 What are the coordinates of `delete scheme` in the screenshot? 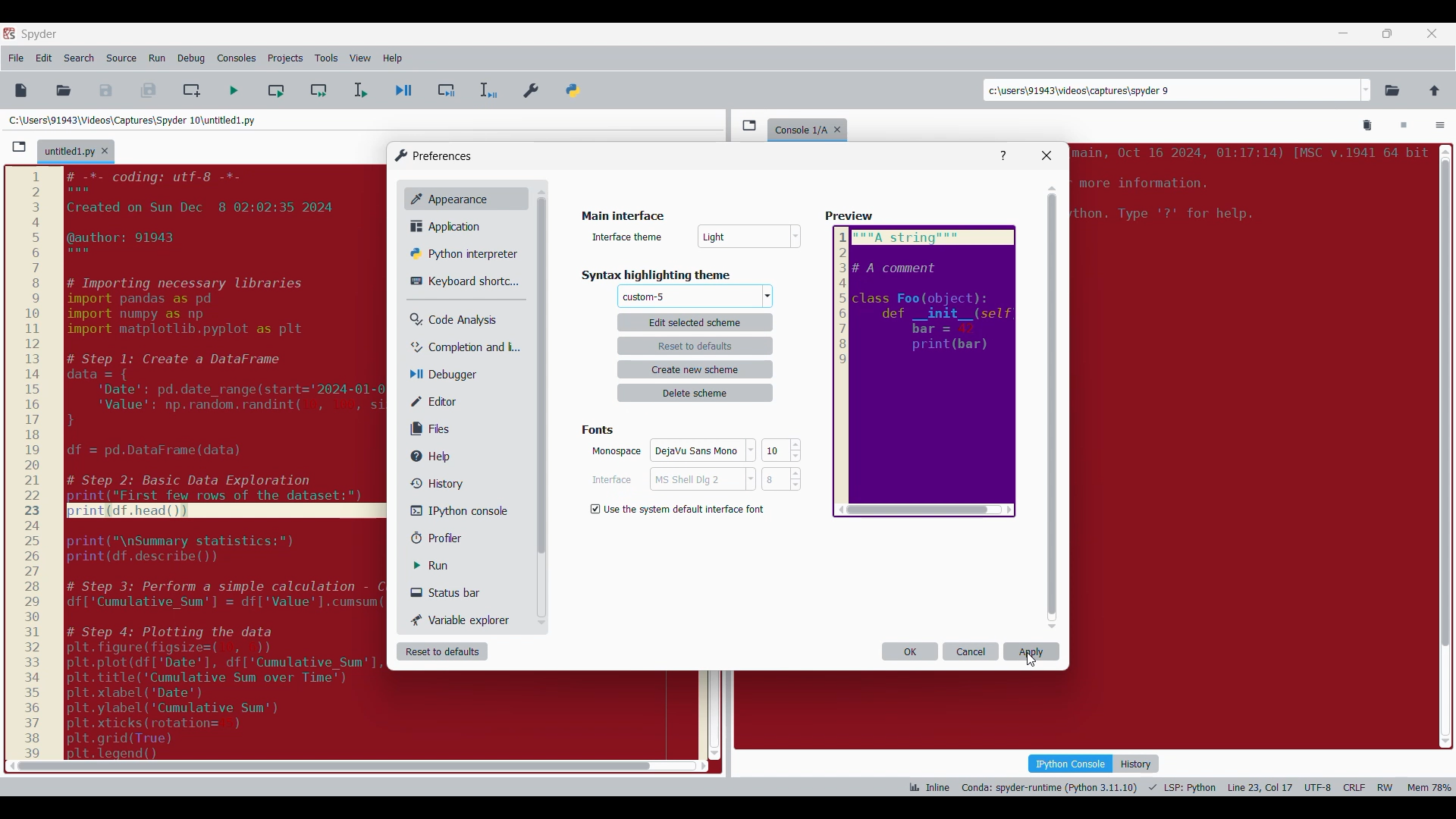 It's located at (696, 393).